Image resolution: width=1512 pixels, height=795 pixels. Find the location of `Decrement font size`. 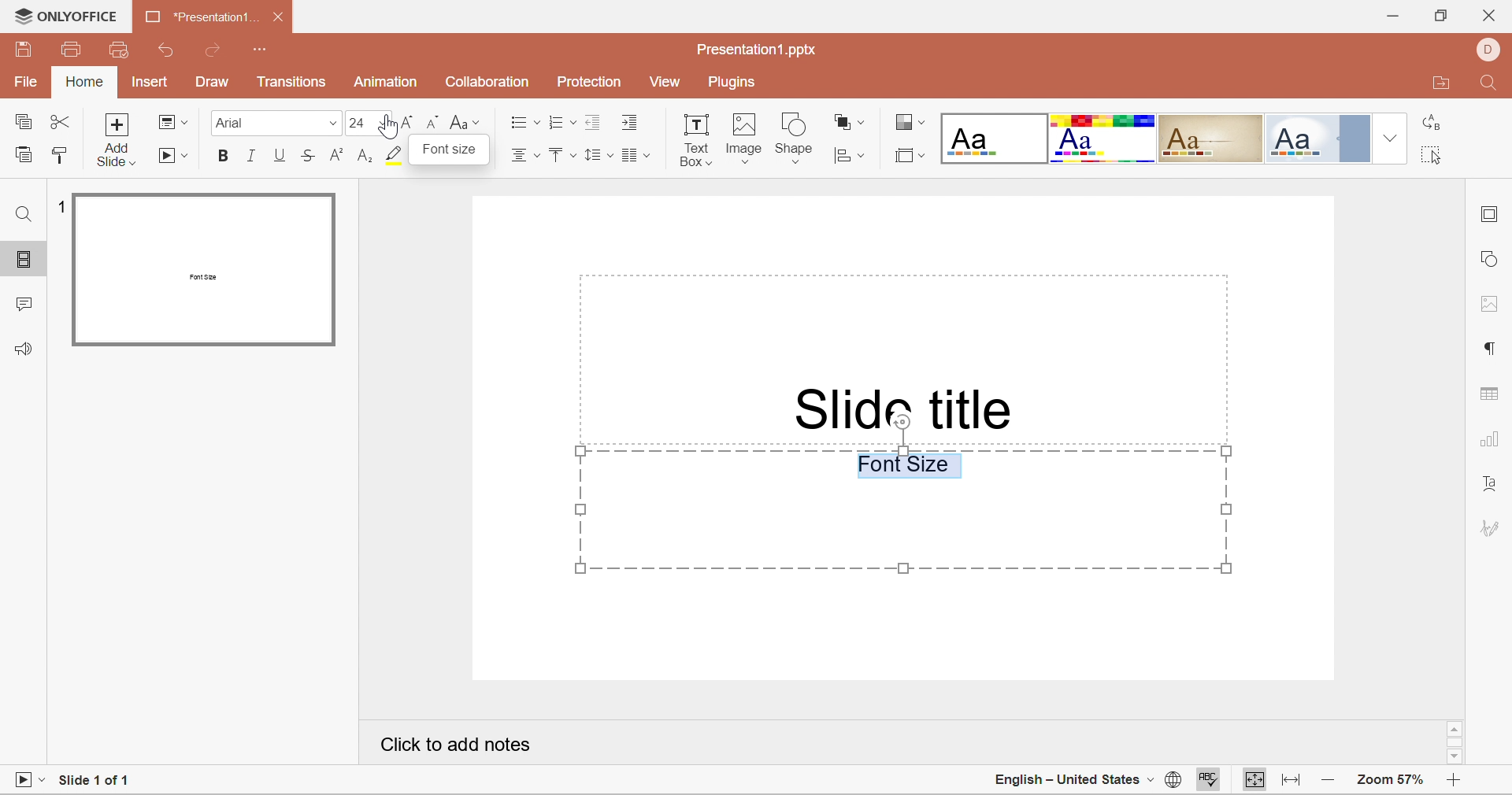

Decrement font size is located at coordinates (432, 123).